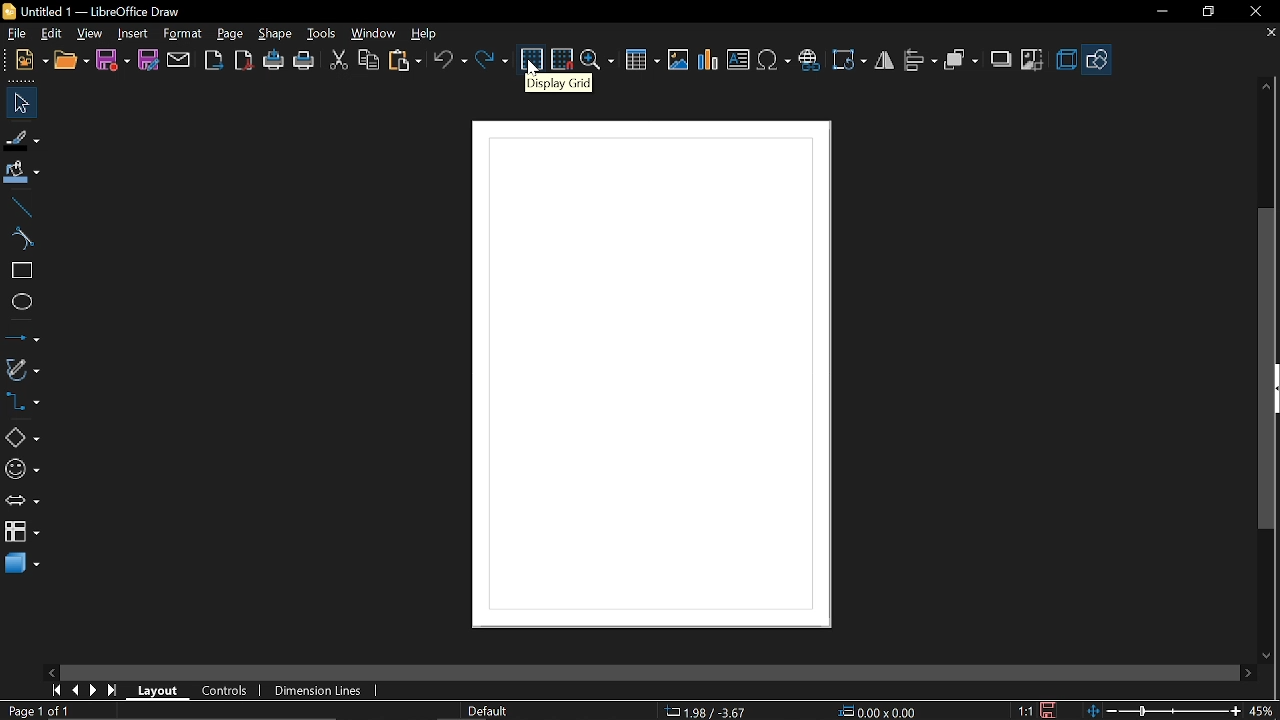 This screenshot has height=720, width=1280. Describe the element at coordinates (486, 711) in the screenshot. I see `Default - Current display` at that location.